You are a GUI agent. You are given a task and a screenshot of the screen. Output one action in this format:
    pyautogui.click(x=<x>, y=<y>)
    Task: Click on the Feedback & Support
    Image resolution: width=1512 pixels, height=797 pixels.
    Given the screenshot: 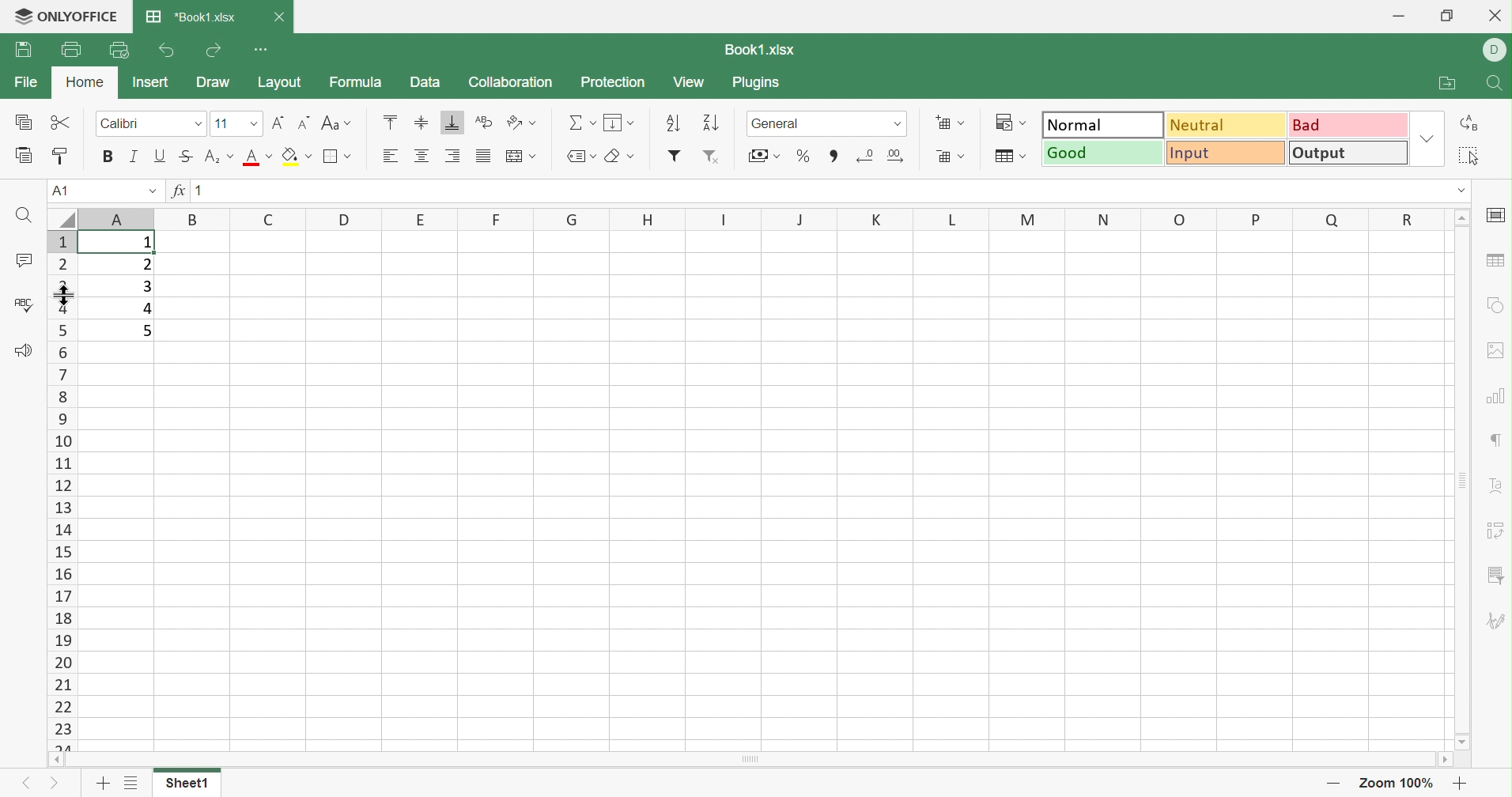 What is the action you would take?
    pyautogui.click(x=23, y=349)
    